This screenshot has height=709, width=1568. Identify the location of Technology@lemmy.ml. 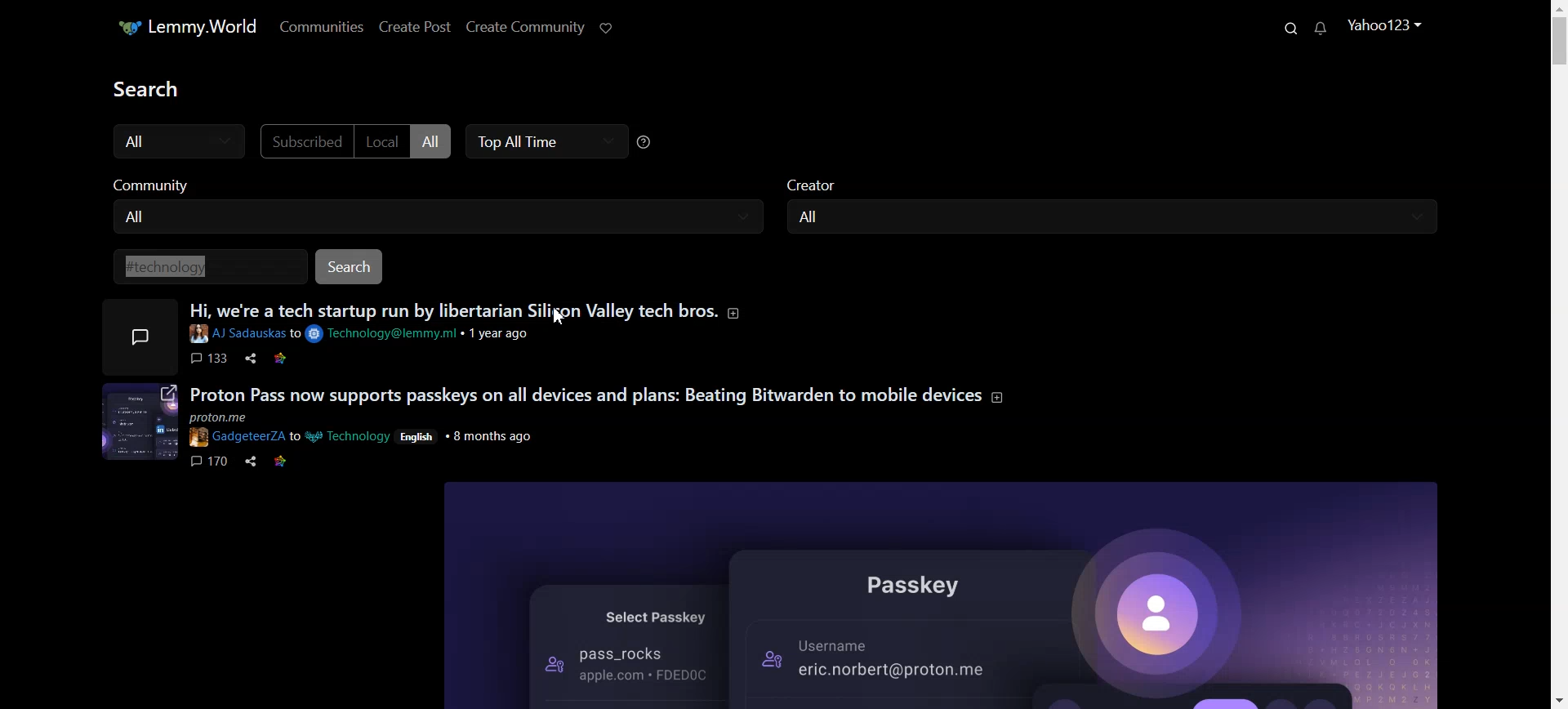
(383, 334).